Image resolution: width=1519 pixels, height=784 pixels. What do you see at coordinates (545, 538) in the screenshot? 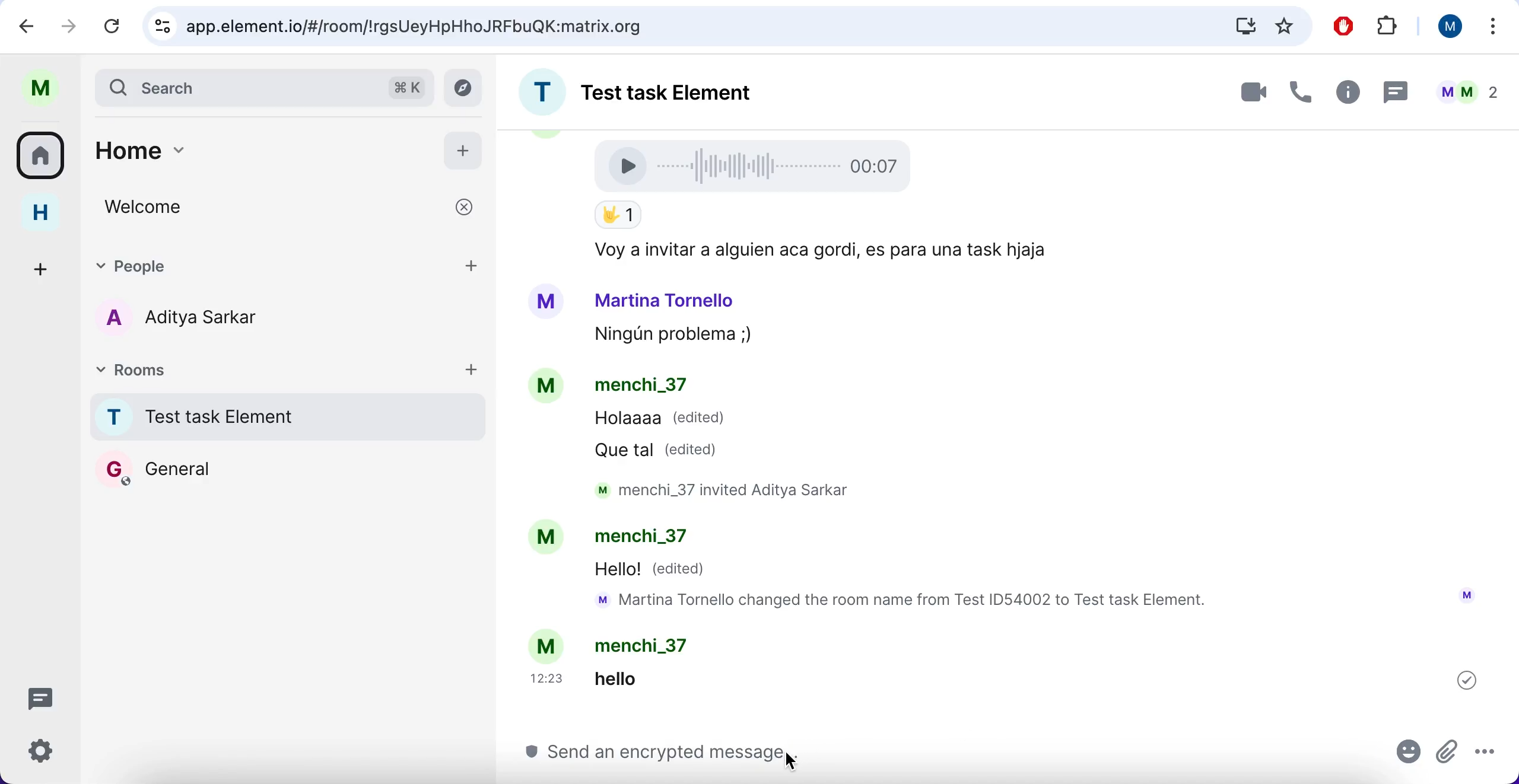
I see `Avatar` at bounding box center [545, 538].